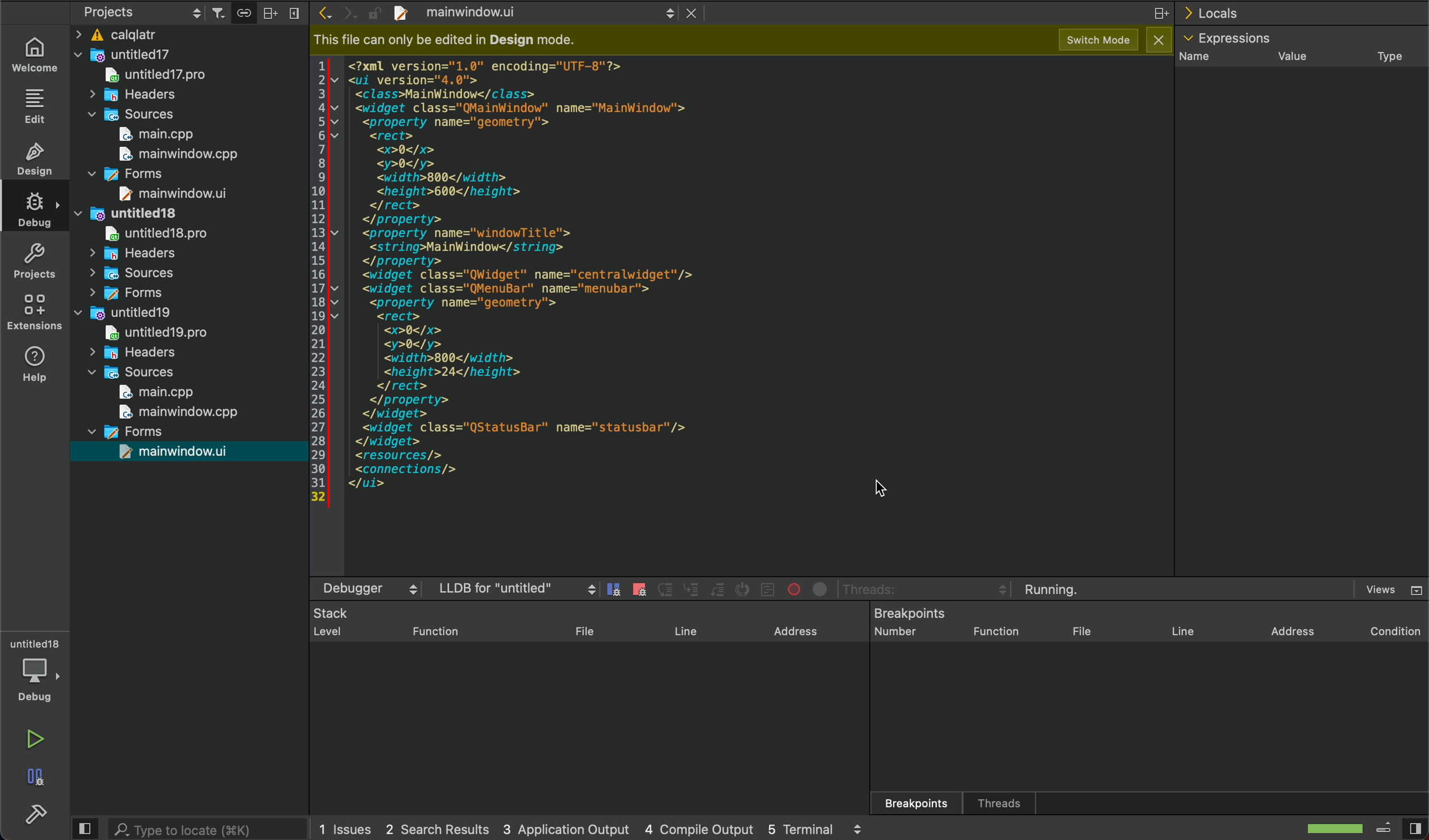 The image size is (1429, 840). I want to click on main ccp, so click(164, 132).